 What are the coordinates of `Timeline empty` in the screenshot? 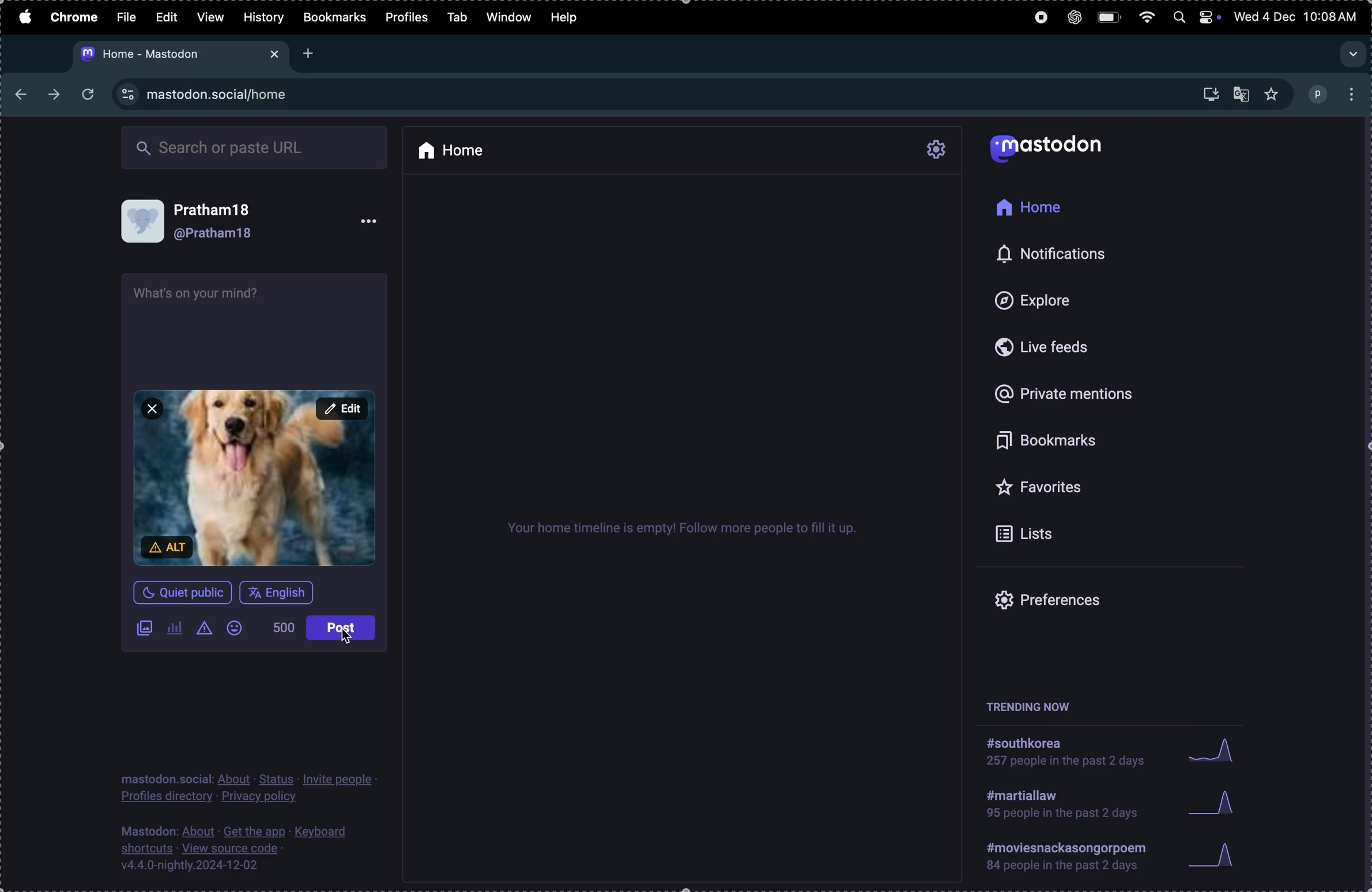 It's located at (681, 532).